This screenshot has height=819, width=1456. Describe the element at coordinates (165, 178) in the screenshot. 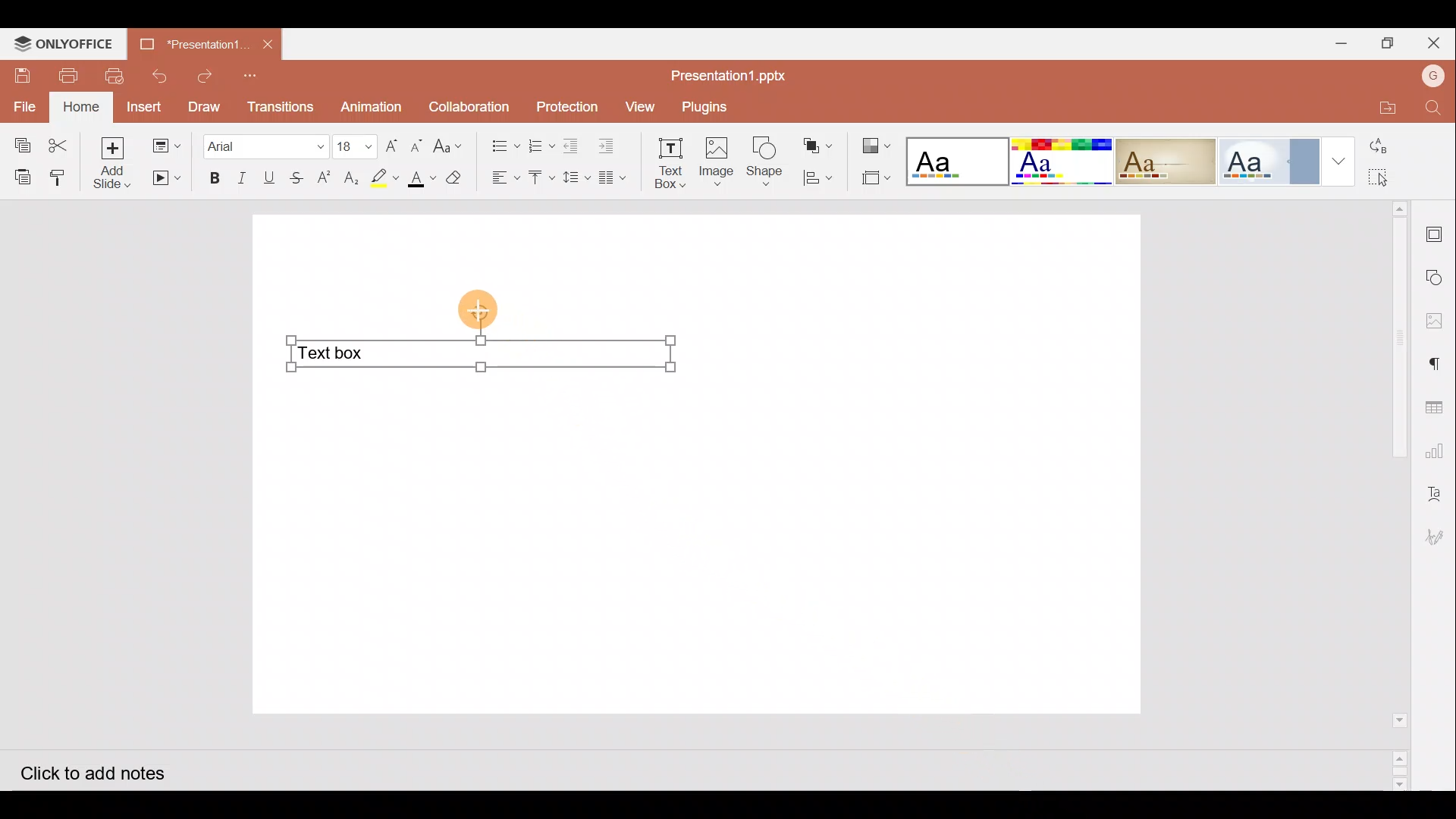

I see `Start slideshow` at that location.